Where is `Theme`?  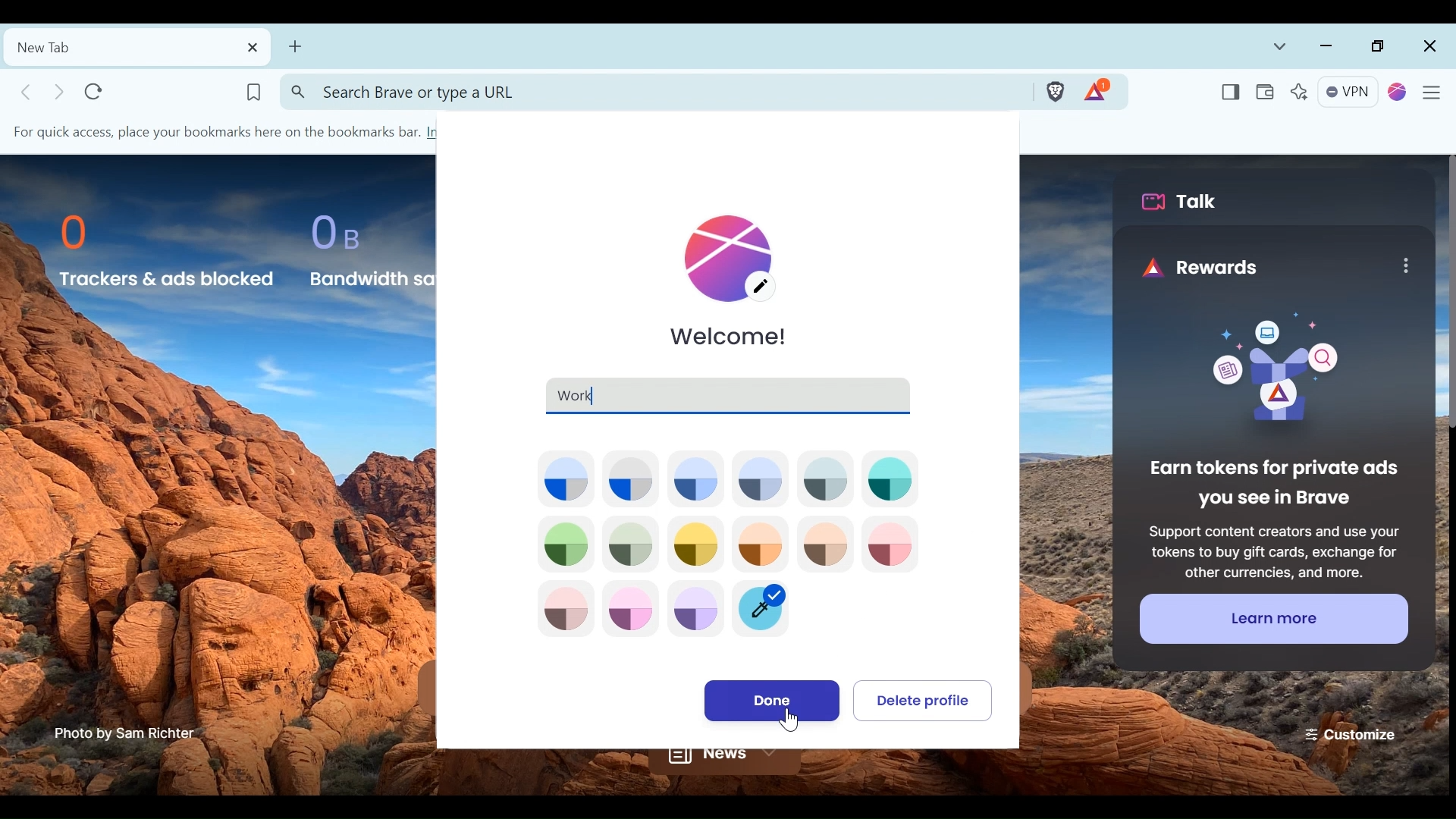 Theme is located at coordinates (695, 613).